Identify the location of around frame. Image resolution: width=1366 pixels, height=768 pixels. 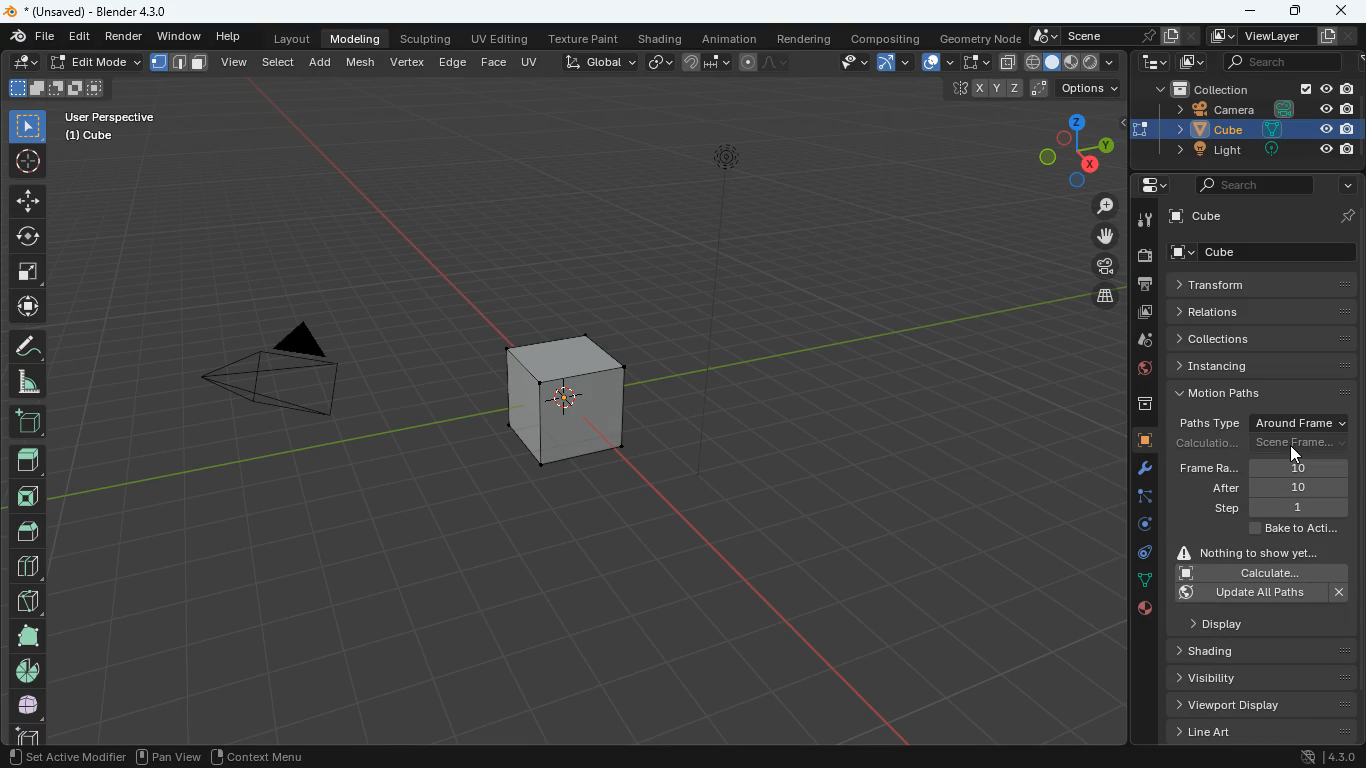
(1305, 421).